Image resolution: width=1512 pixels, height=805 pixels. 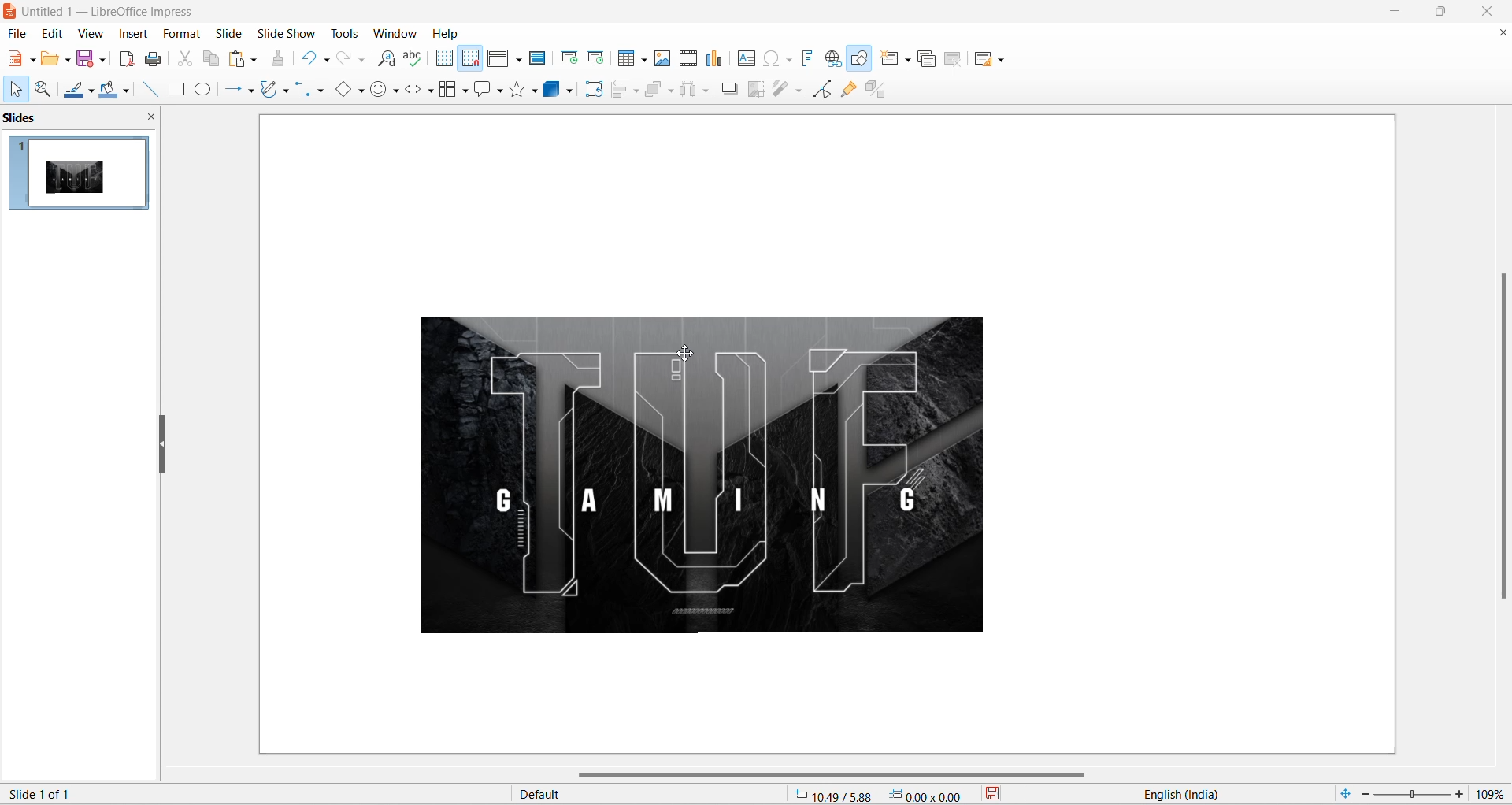 What do you see at coordinates (339, 91) in the screenshot?
I see `basic shapes` at bounding box center [339, 91].